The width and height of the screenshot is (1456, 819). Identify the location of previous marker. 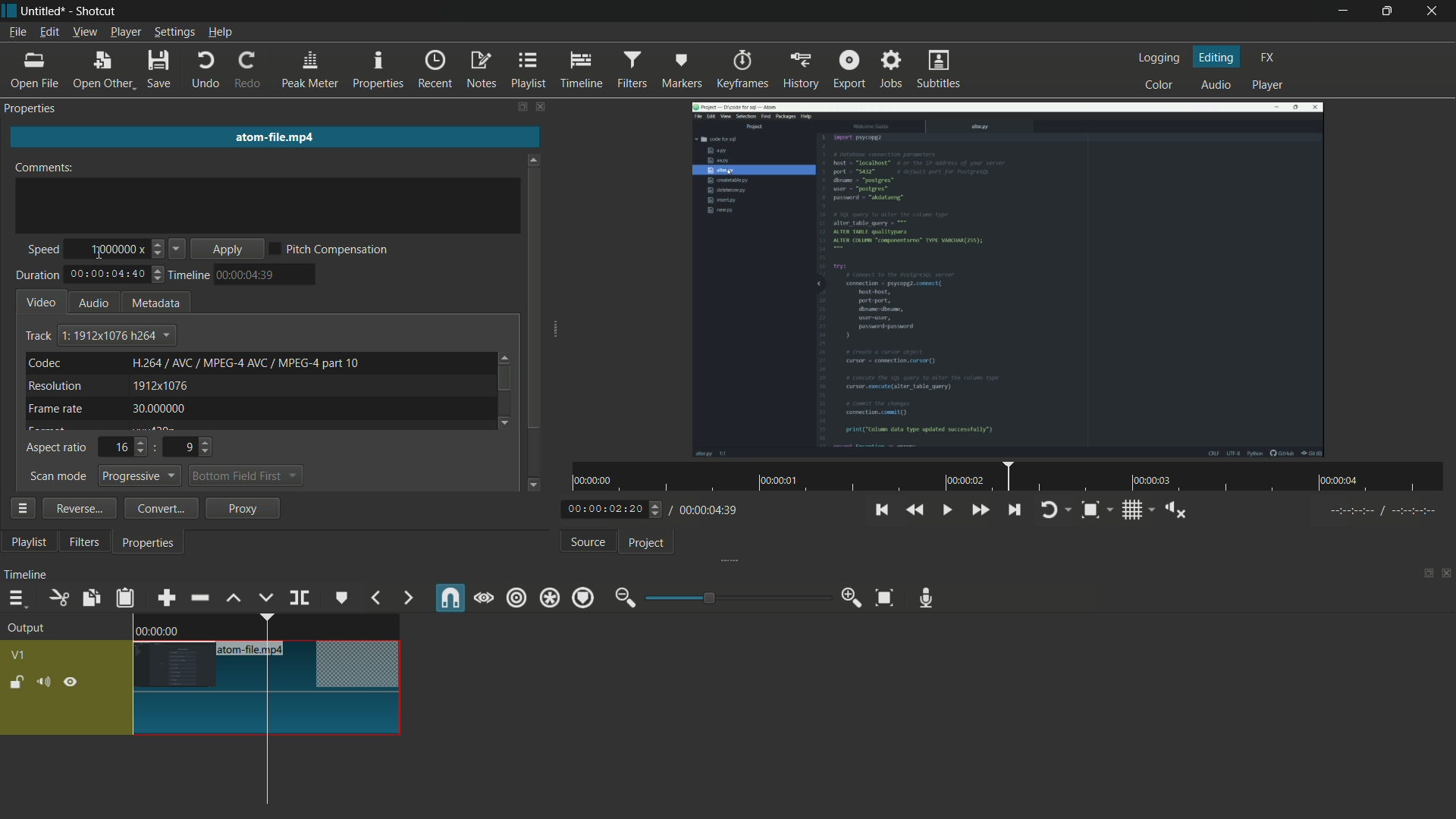
(375, 599).